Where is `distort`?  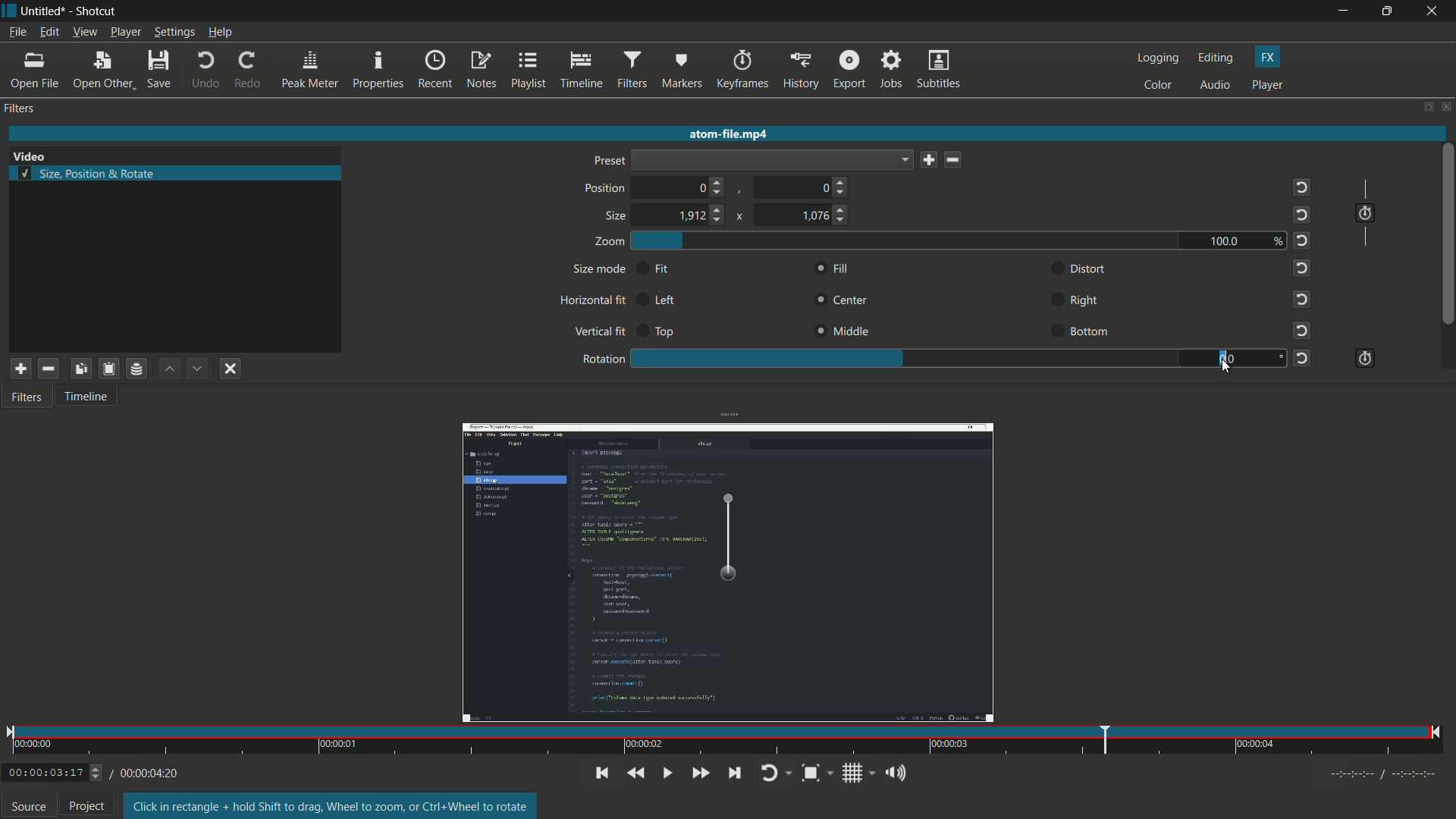 distort is located at coordinates (1089, 270).